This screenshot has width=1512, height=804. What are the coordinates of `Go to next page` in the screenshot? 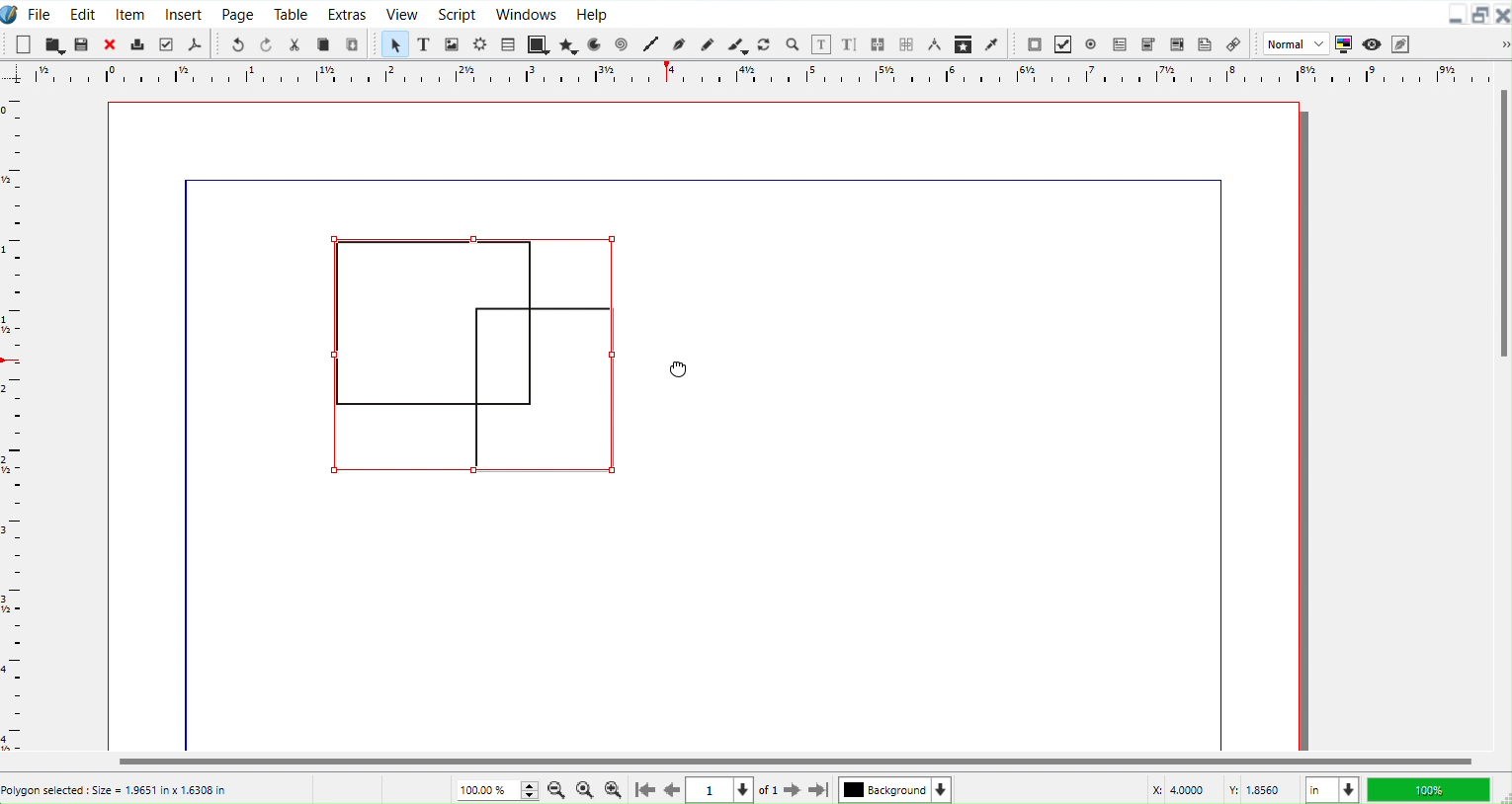 It's located at (795, 791).